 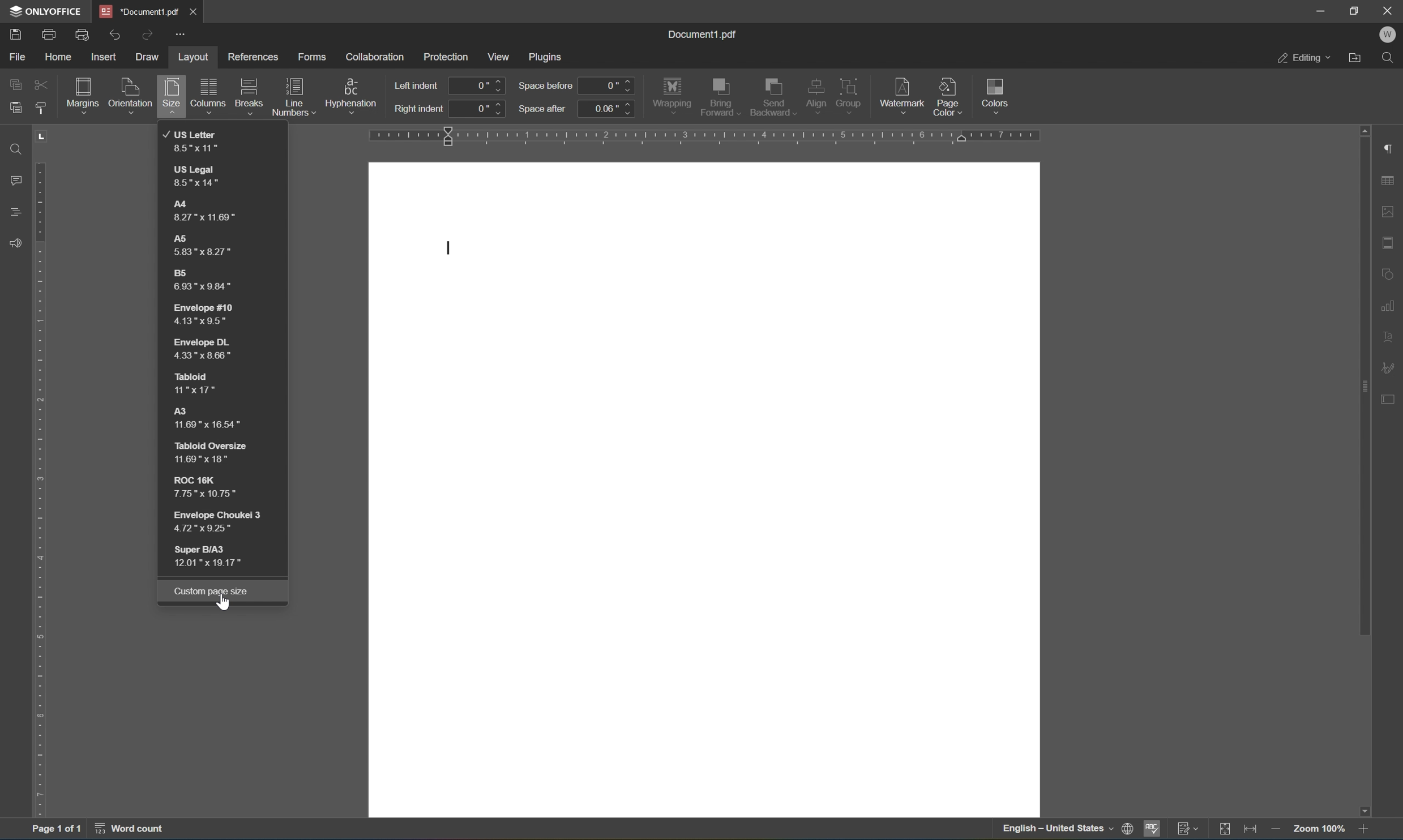 I want to click on word count, so click(x=126, y=832).